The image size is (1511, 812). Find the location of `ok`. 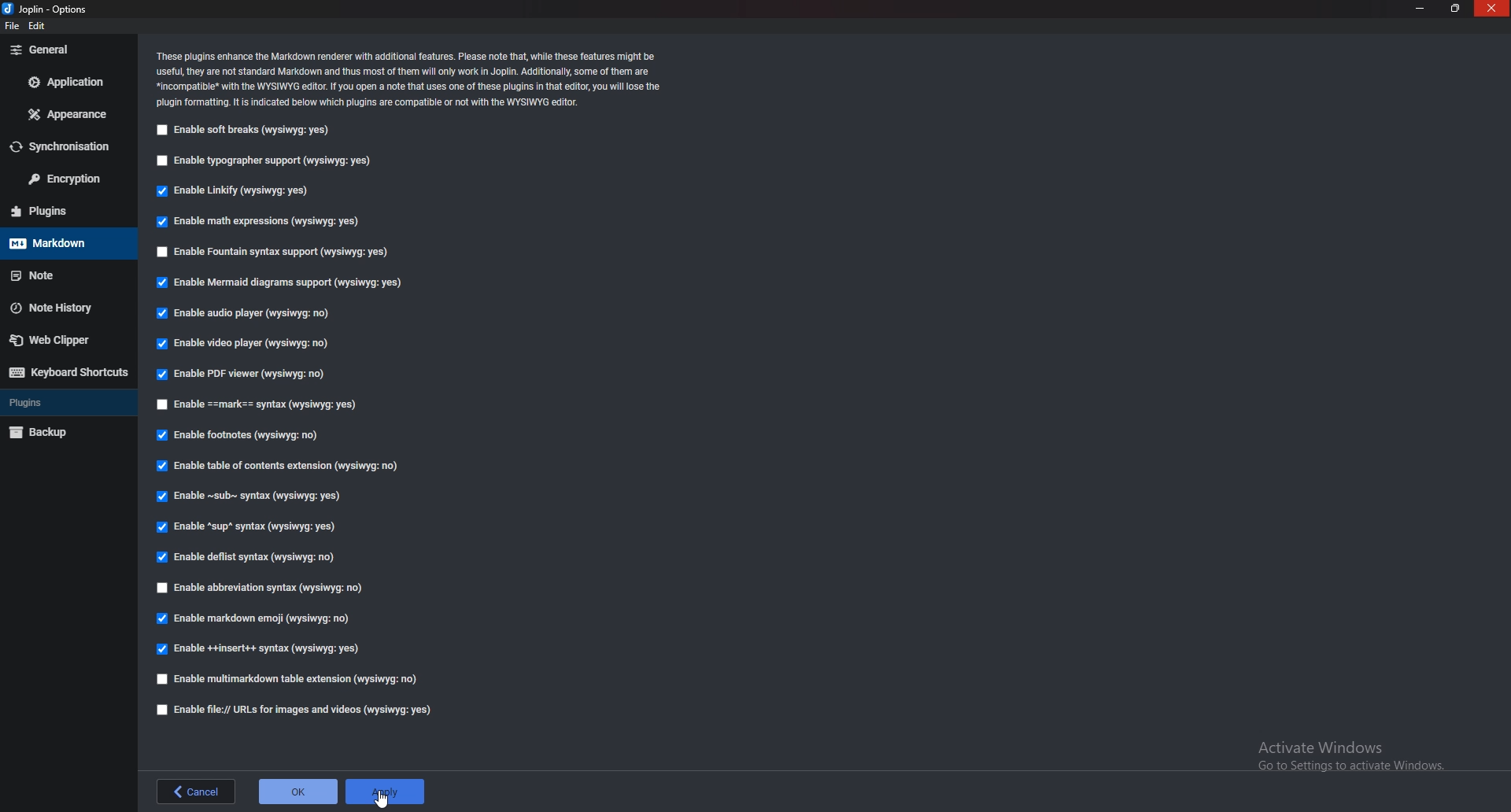

ok is located at coordinates (297, 792).